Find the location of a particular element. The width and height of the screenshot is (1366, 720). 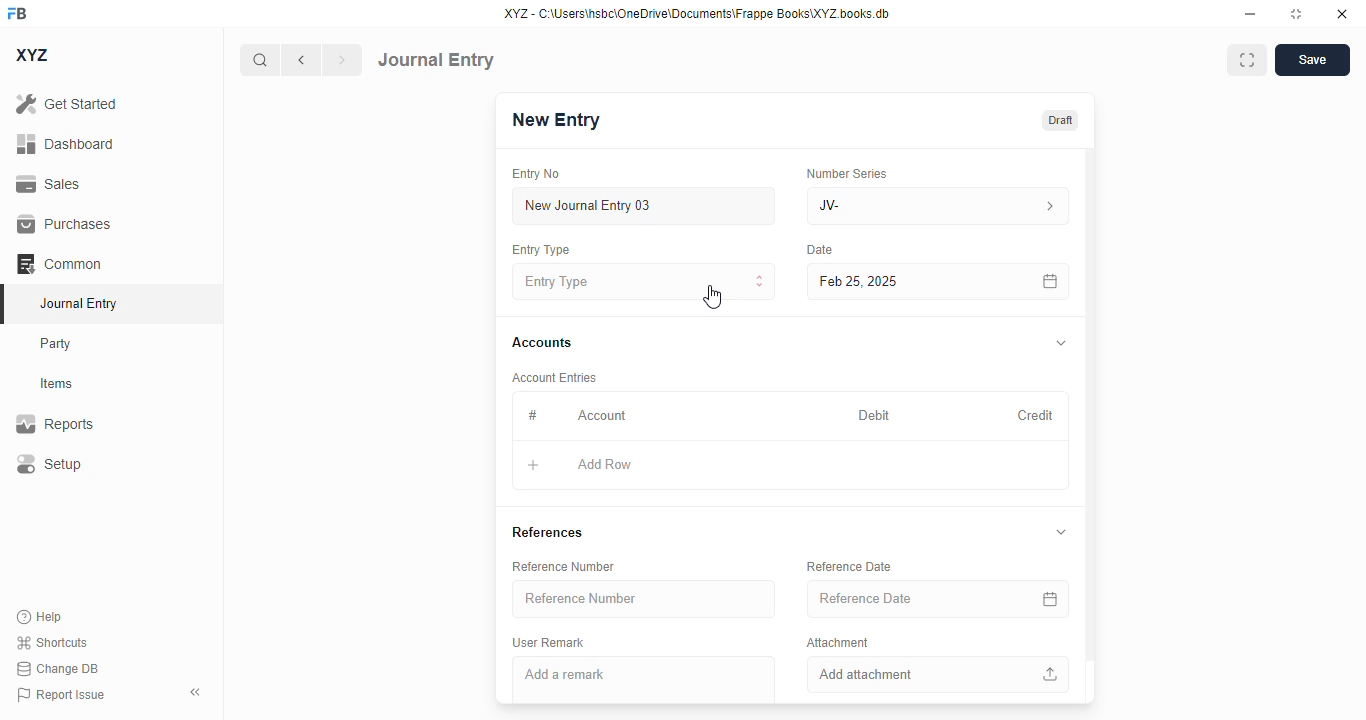

calendar icon is located at coordinates (1051, 599).